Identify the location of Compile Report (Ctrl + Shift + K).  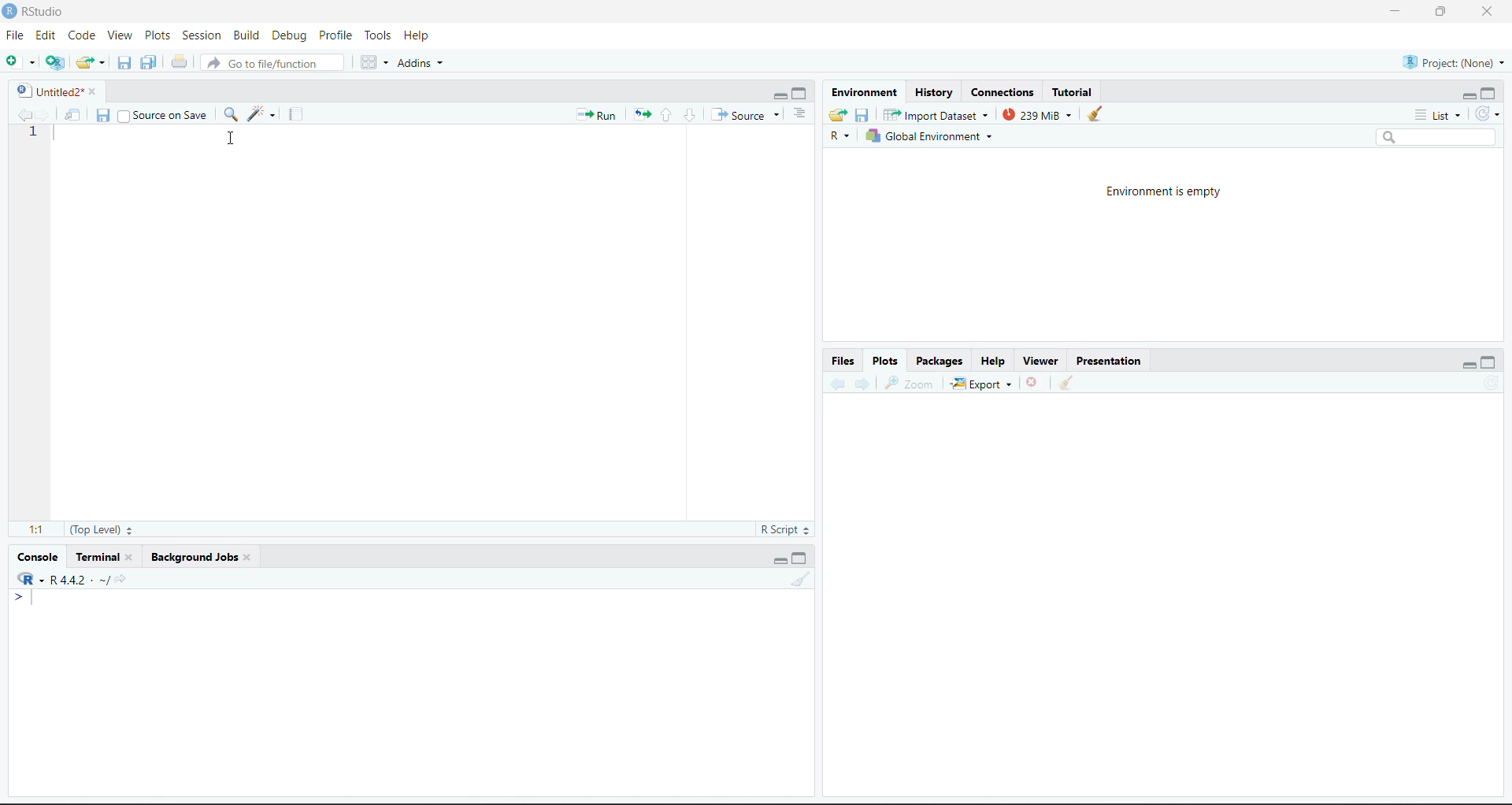
(296, 112).